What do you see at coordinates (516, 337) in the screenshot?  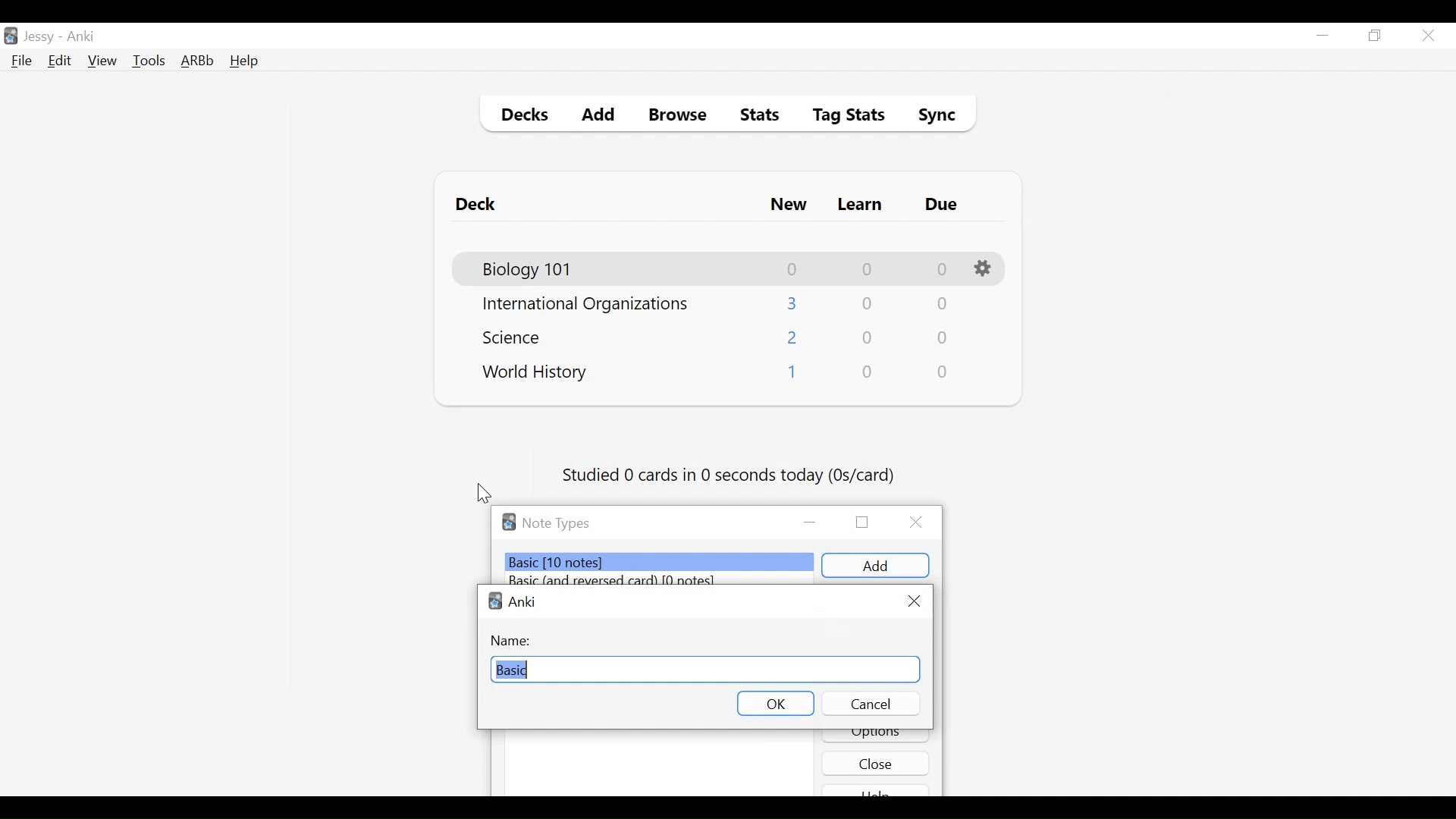 I see `Deck Name` at bounding box center [516, 337].